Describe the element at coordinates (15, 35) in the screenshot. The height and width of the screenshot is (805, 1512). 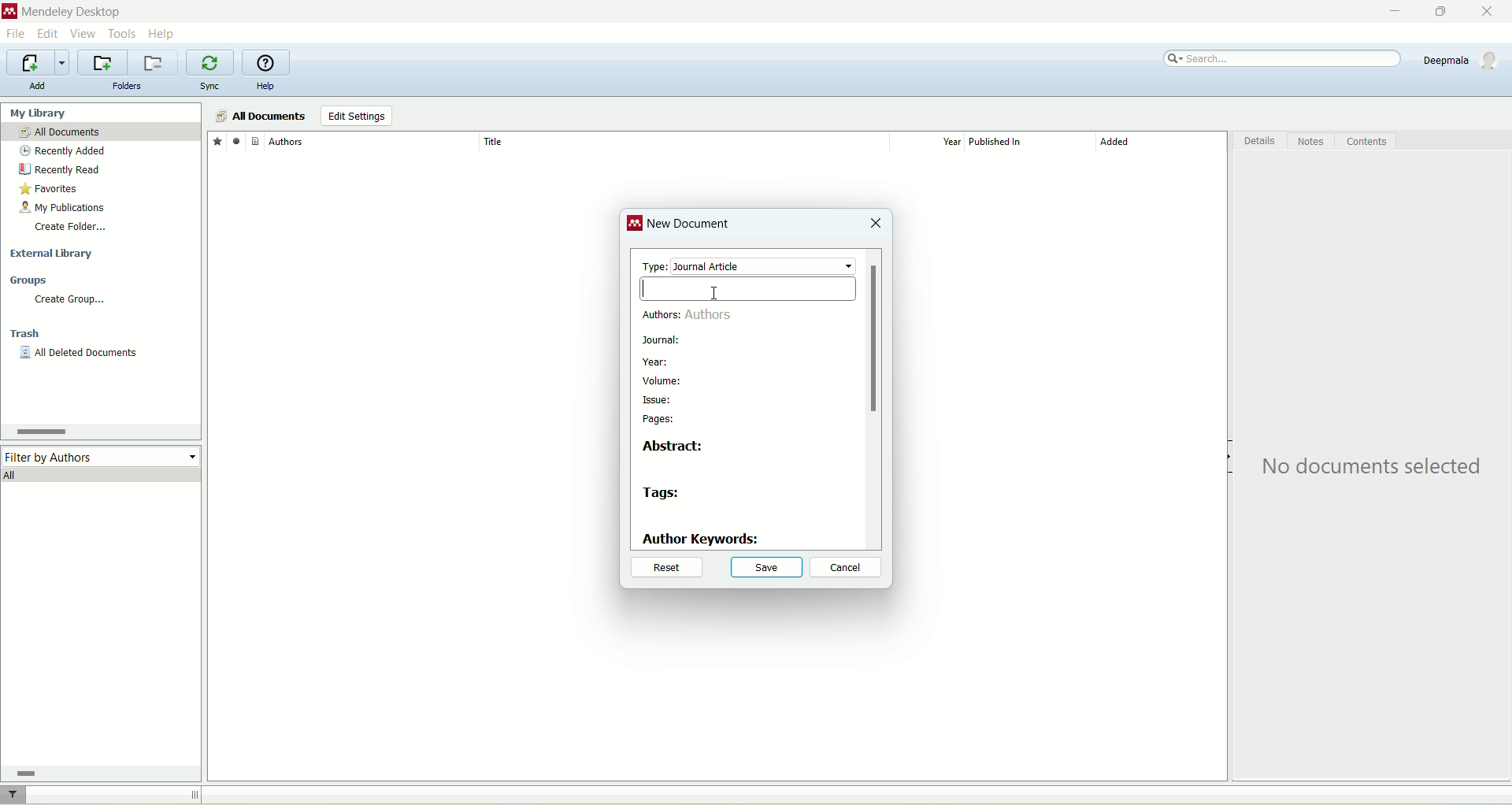
I see `file` at that location.